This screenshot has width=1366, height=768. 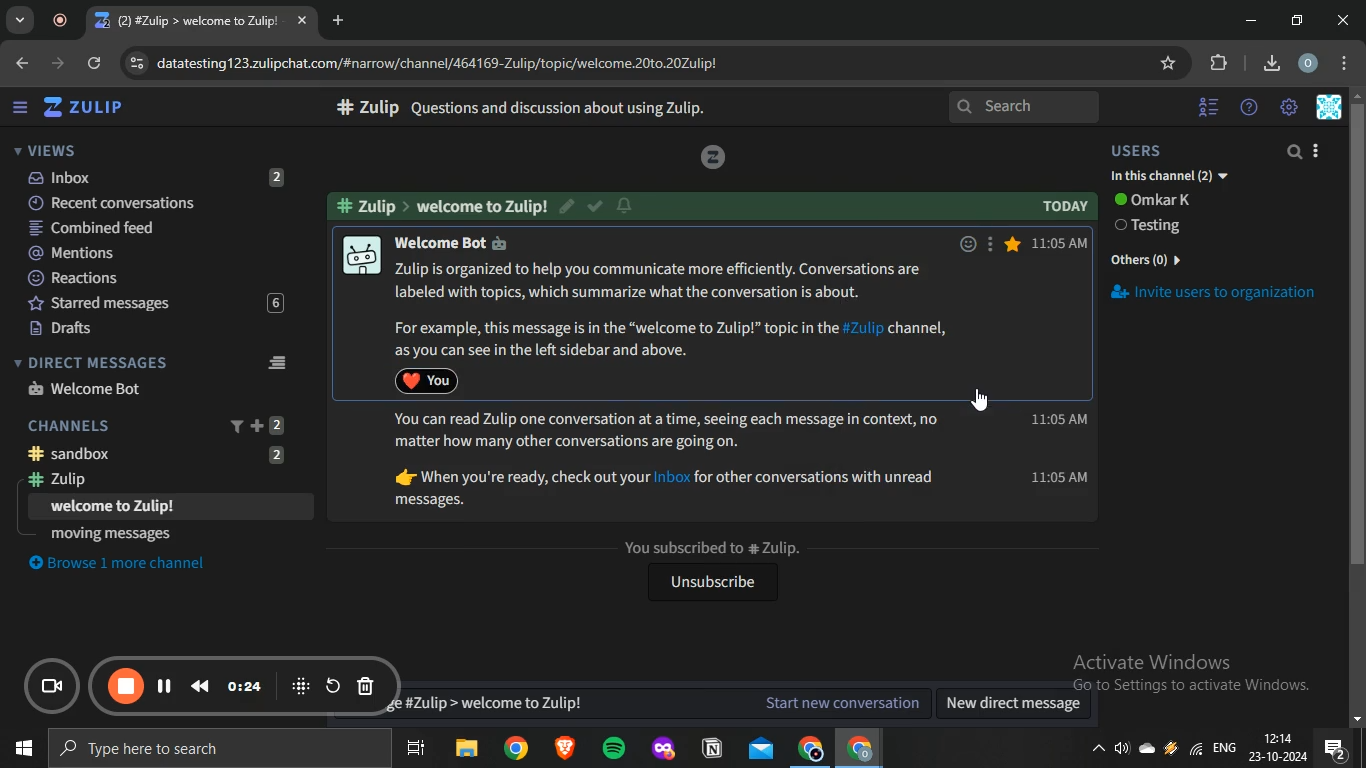 I want to click on go back to  previous page, so click(x=20, y=61).